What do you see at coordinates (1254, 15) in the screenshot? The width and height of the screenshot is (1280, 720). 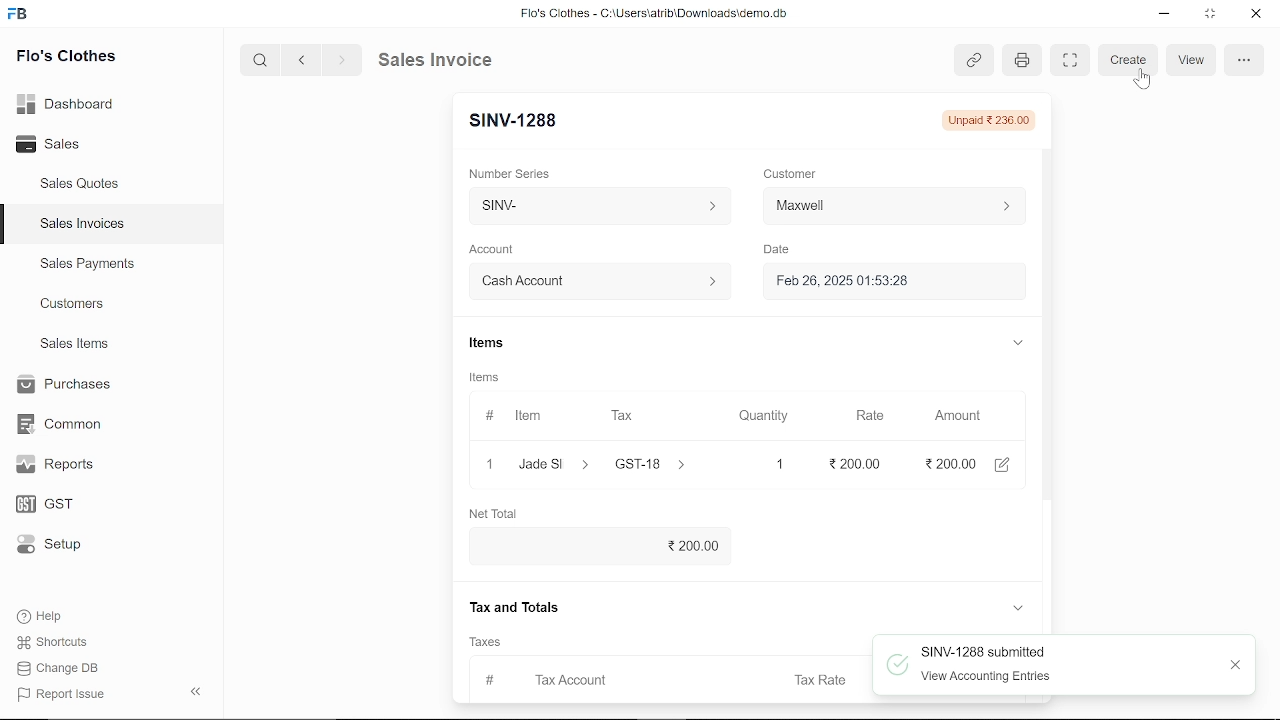 I see `close` at bounding box center [1254, 15].